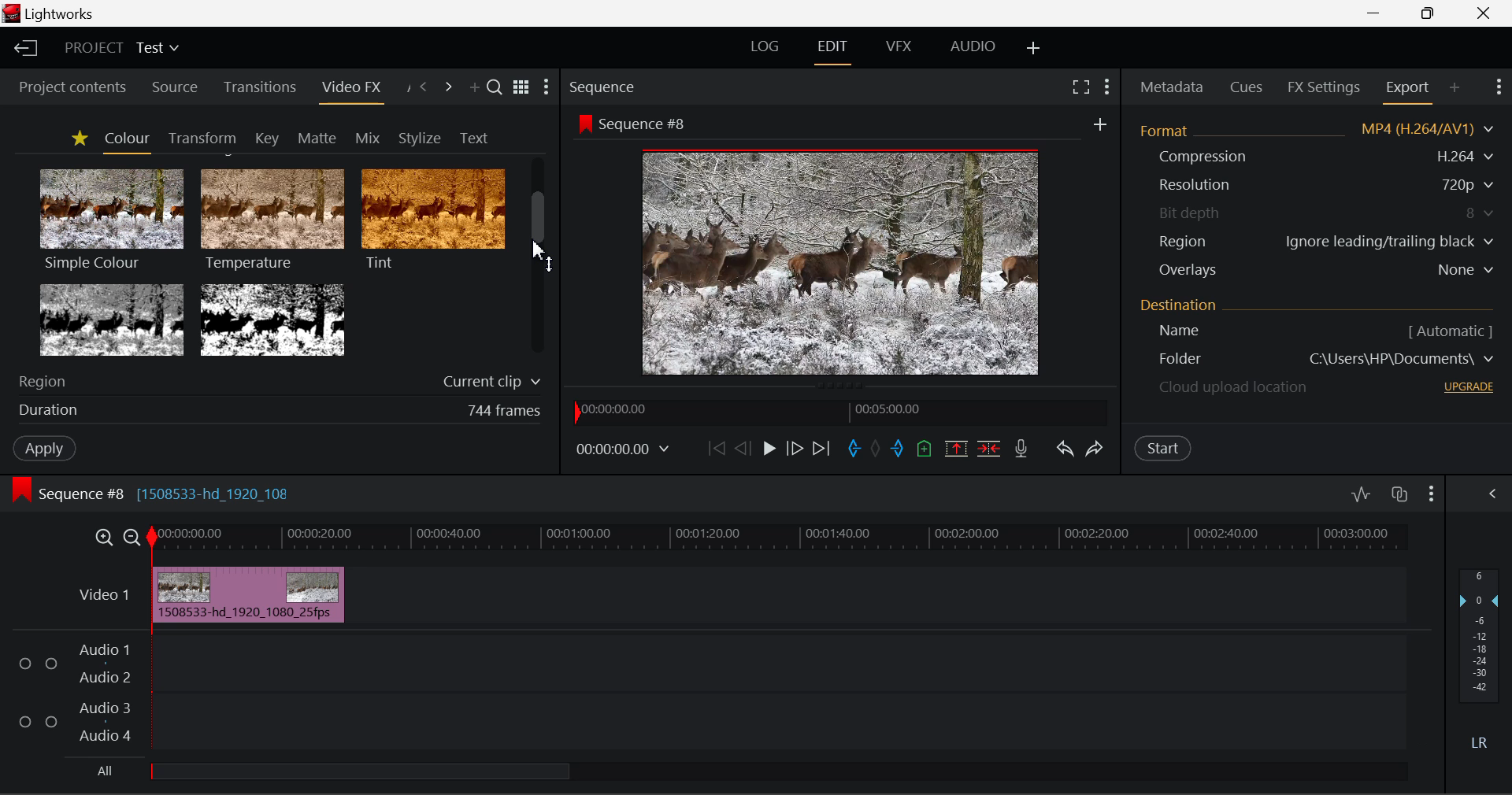 This screenshot has height=795, width=1512. I want to click on Audio 4, so click(102, 733).